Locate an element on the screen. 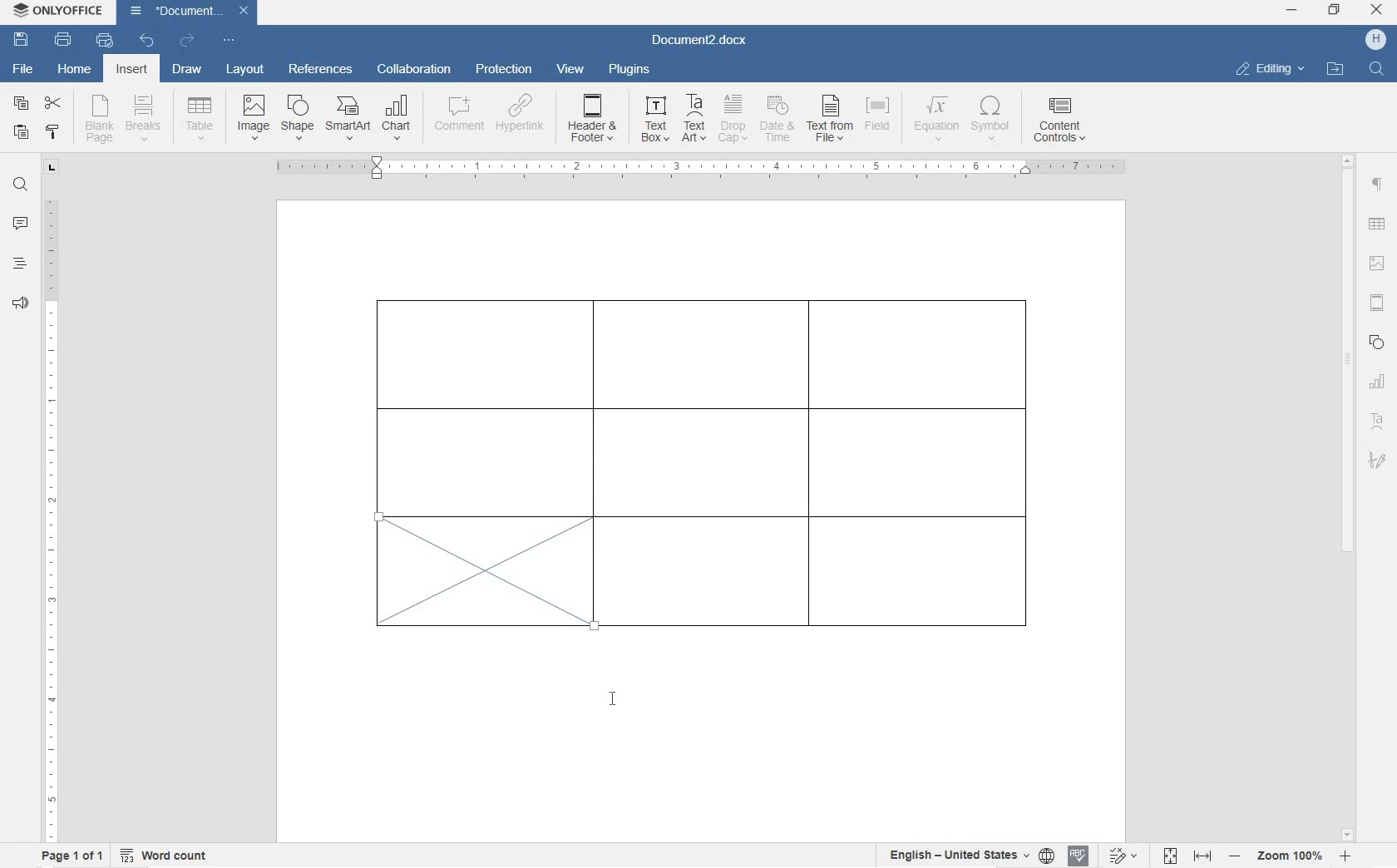 The image size is (1397, 868). save is located at coordinates (22, 40).